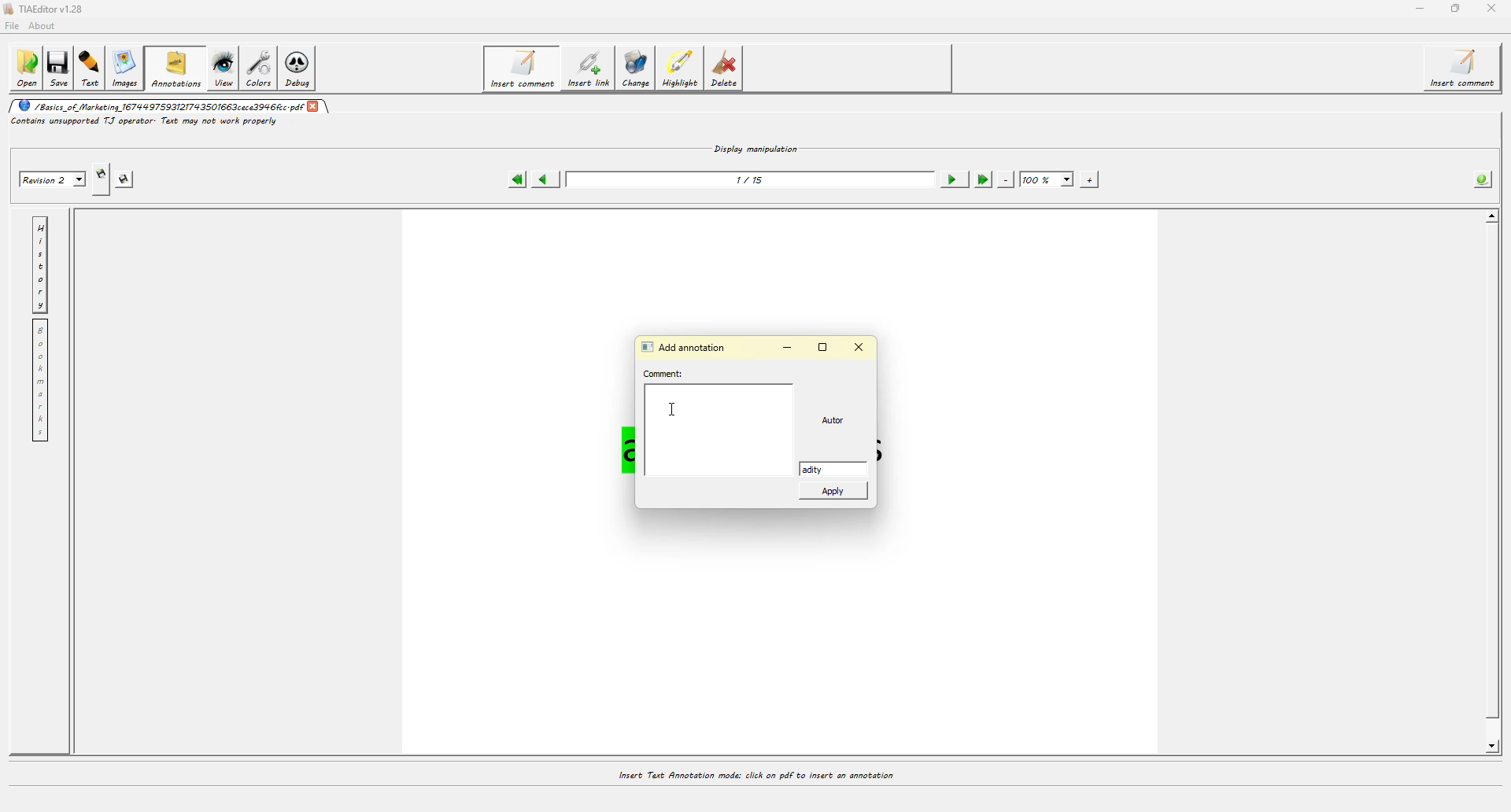 This screenshot has height=812, width=1511. What do you see at coordinates (1089, 179) in the screenshot?
I see `zoom in` at bounding box center [1089, 179].